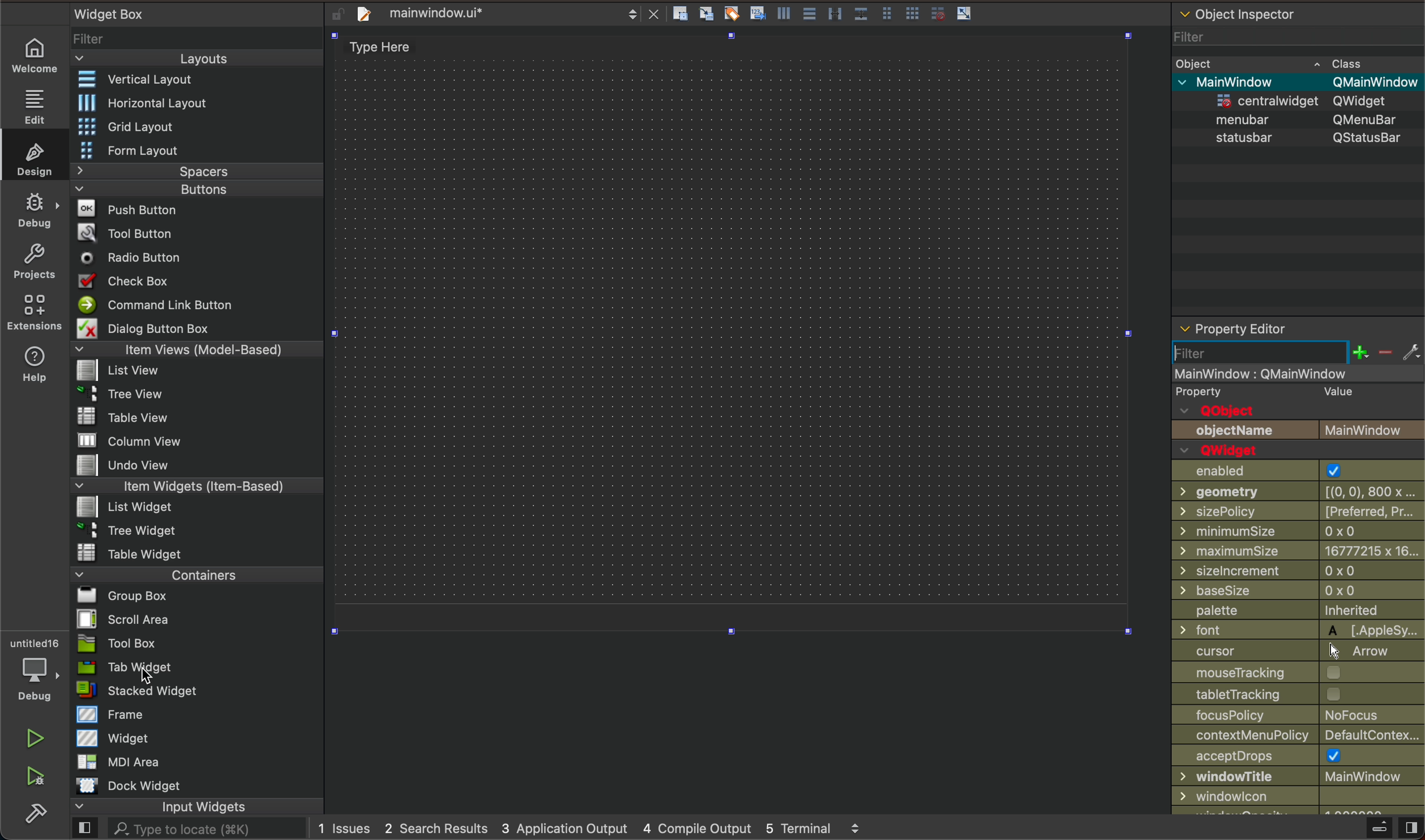 This screenshot has width=1425, height=840. Describe the element at coordinates (32, 56) in the screenshot. I see `welcome` at that location.